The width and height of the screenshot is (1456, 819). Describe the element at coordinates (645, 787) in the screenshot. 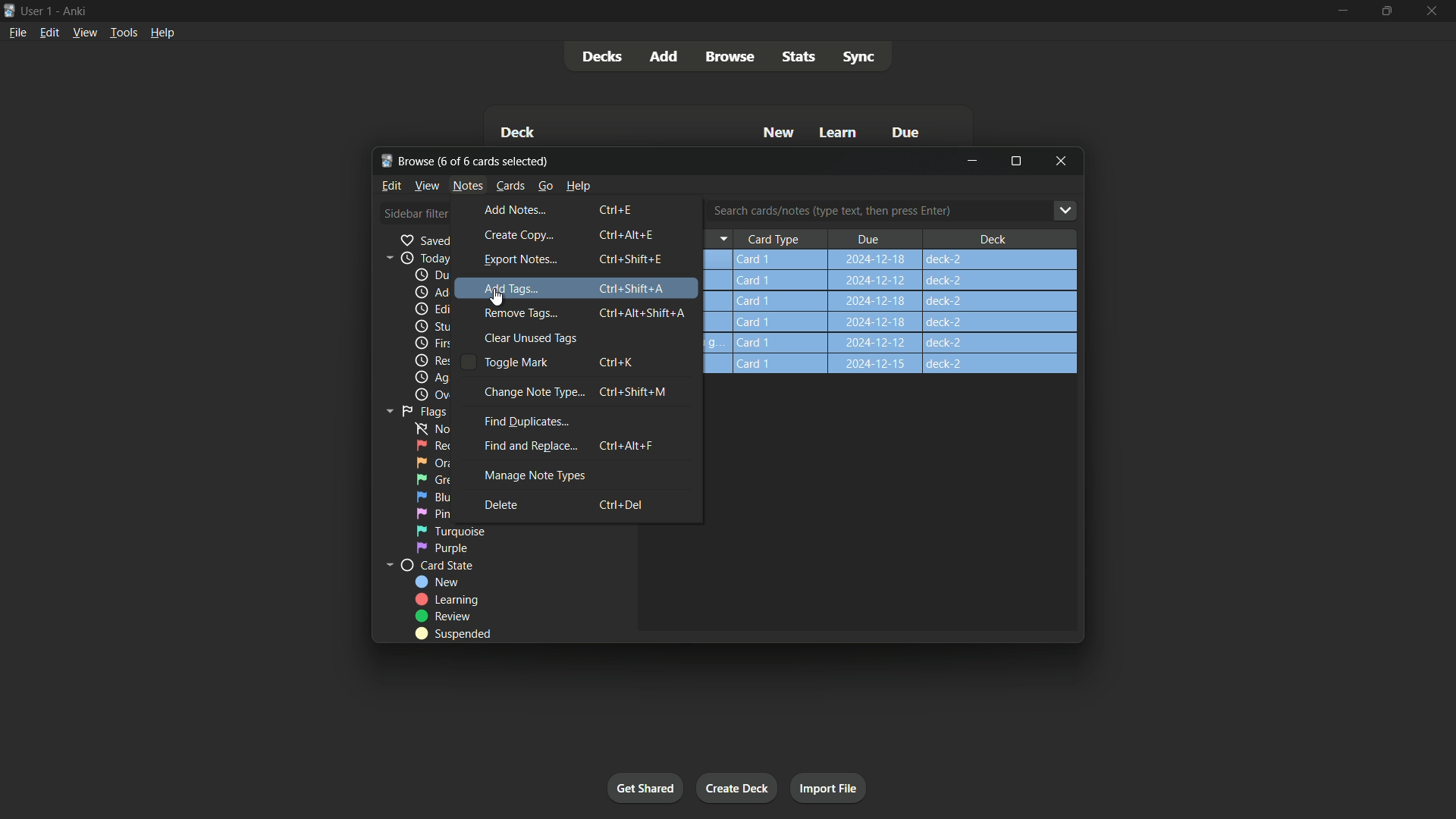

I see `Get started` at that location.